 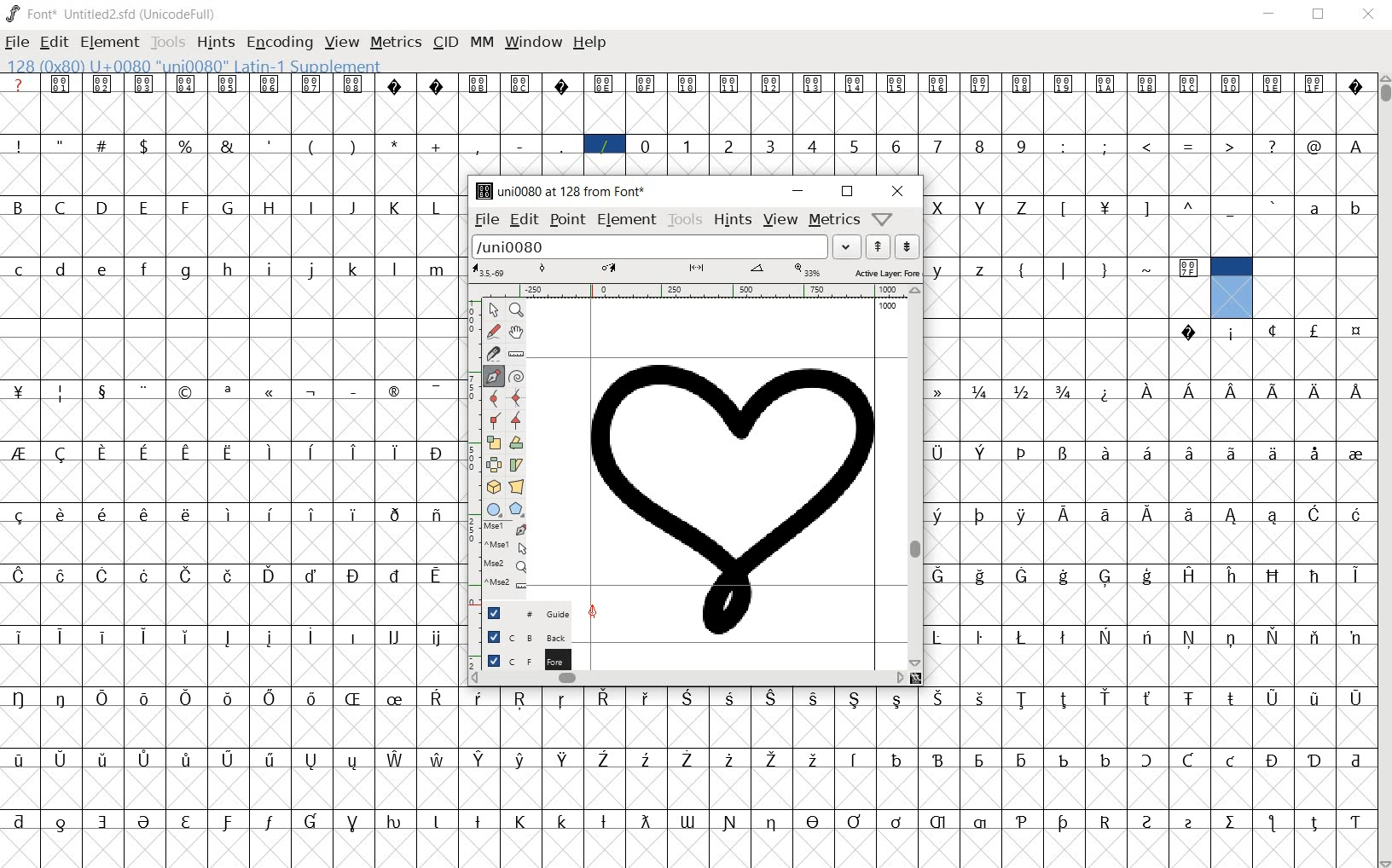 I want to click on customized heart symbol added, so click(x=735, y=495).